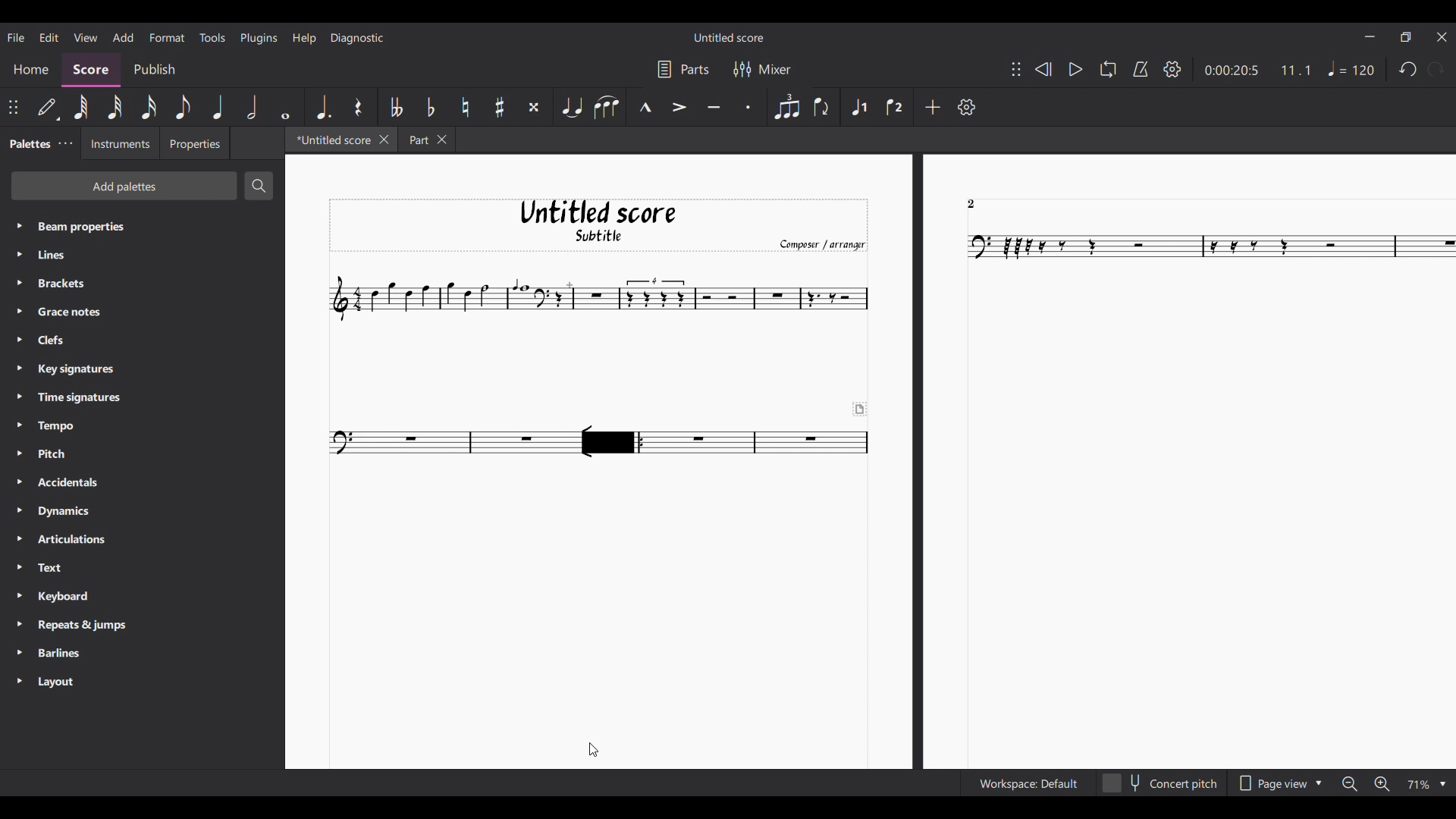 Image resolution: width=1456 pixels, height=819 pixels. Describe the element at coordinates (30, 71) in the screenshot. I see `Home` at that location.